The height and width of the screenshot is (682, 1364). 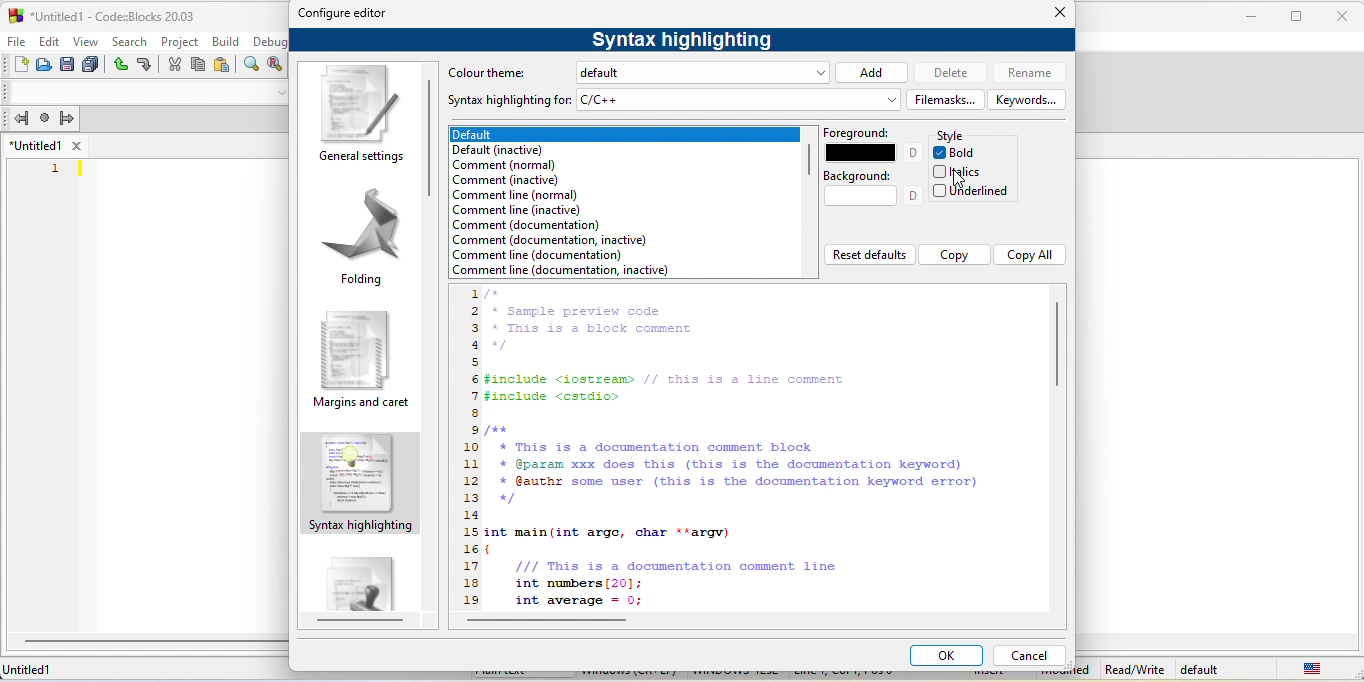 I want to click on find, so click(x=252, y=63).